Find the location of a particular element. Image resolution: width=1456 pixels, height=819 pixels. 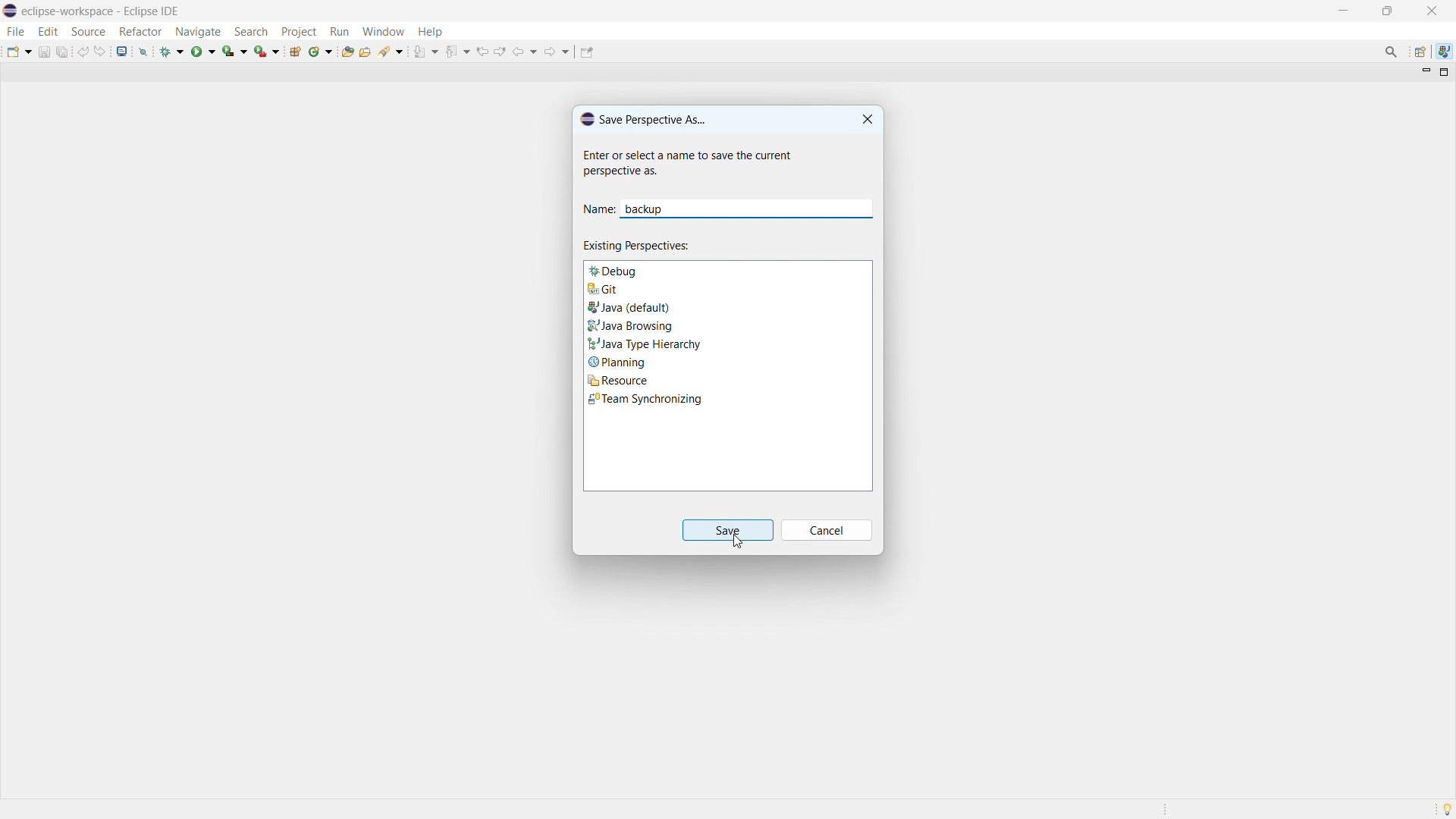

save all is located at coordinates (63, 52).